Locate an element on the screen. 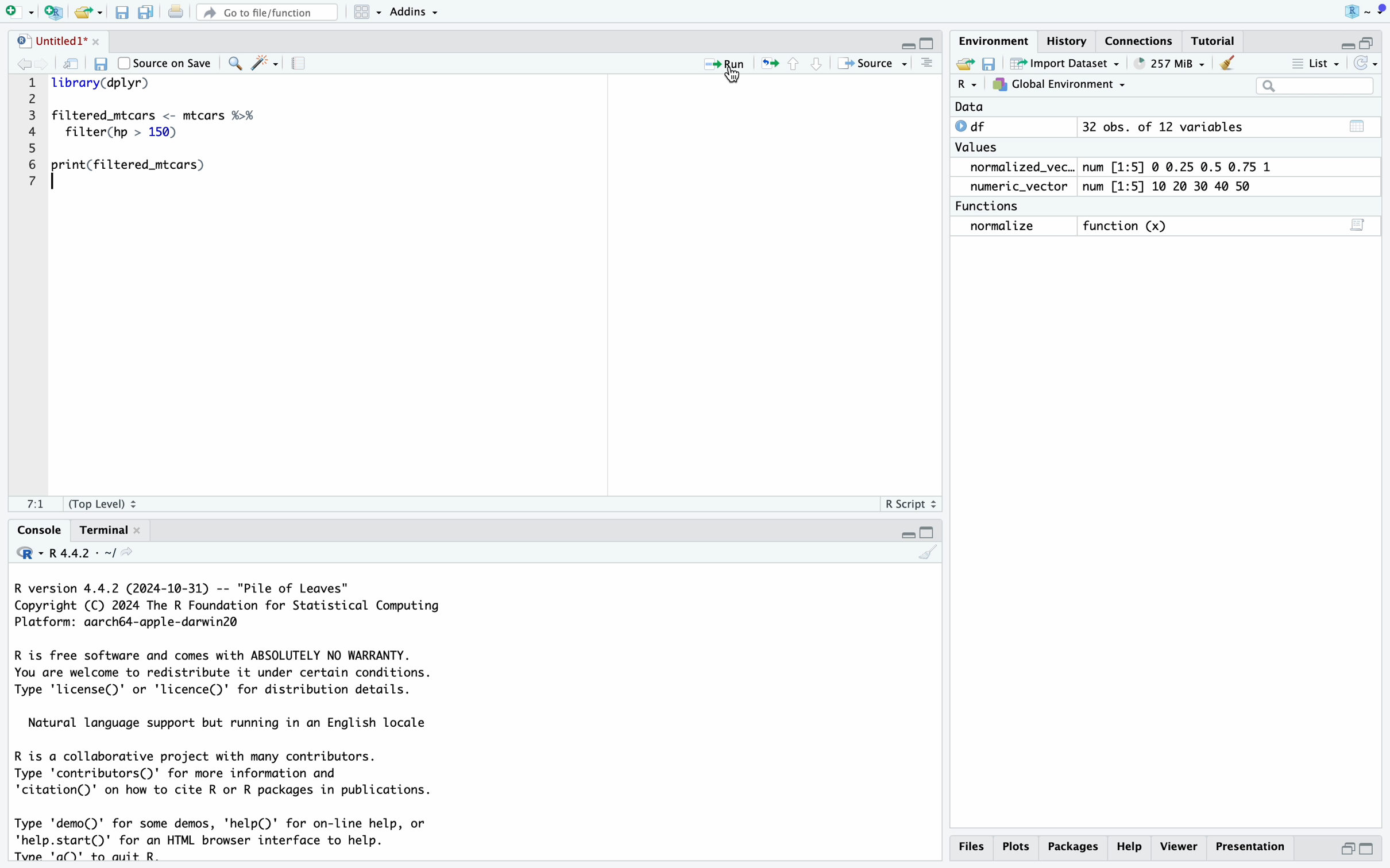 This screenshot has width=1390, height=868. Files is located at coordinates (970, 846).